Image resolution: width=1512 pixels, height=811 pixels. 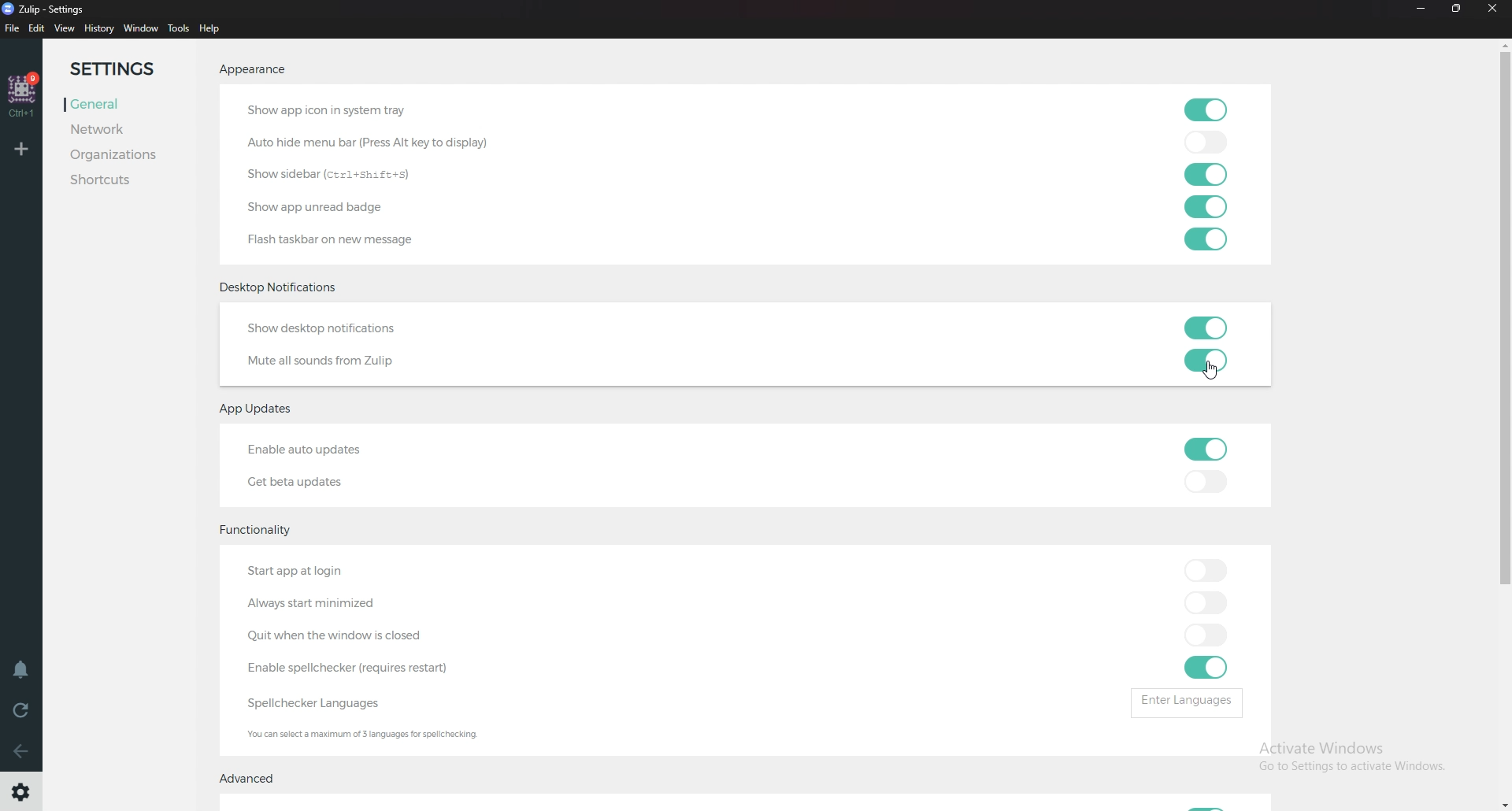 I want to click on toggle, so click(x=1206, y=241).